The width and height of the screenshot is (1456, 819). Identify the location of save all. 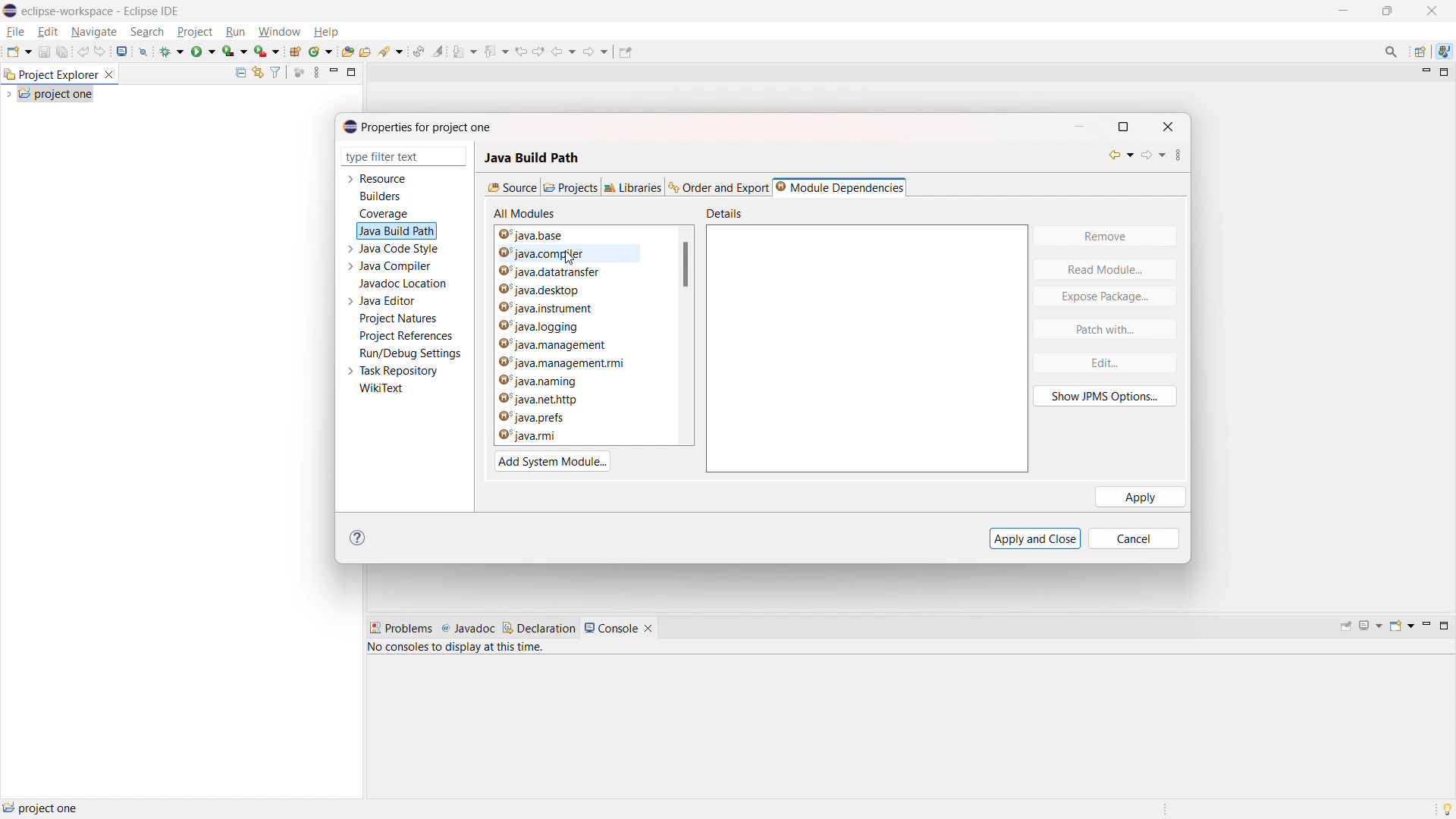
(63, 52).